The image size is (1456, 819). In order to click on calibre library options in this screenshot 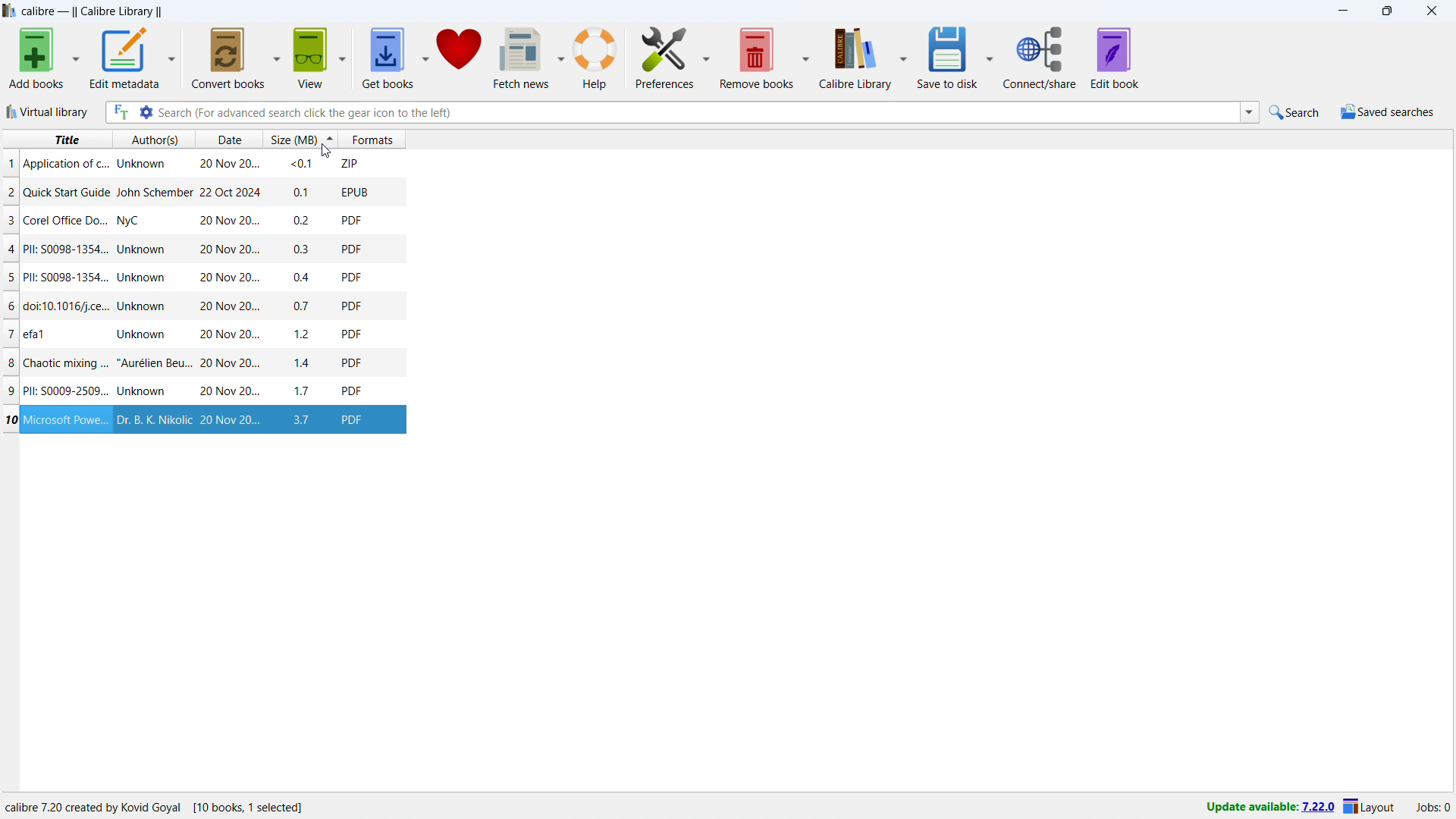, I will do `click(902, 56)`.